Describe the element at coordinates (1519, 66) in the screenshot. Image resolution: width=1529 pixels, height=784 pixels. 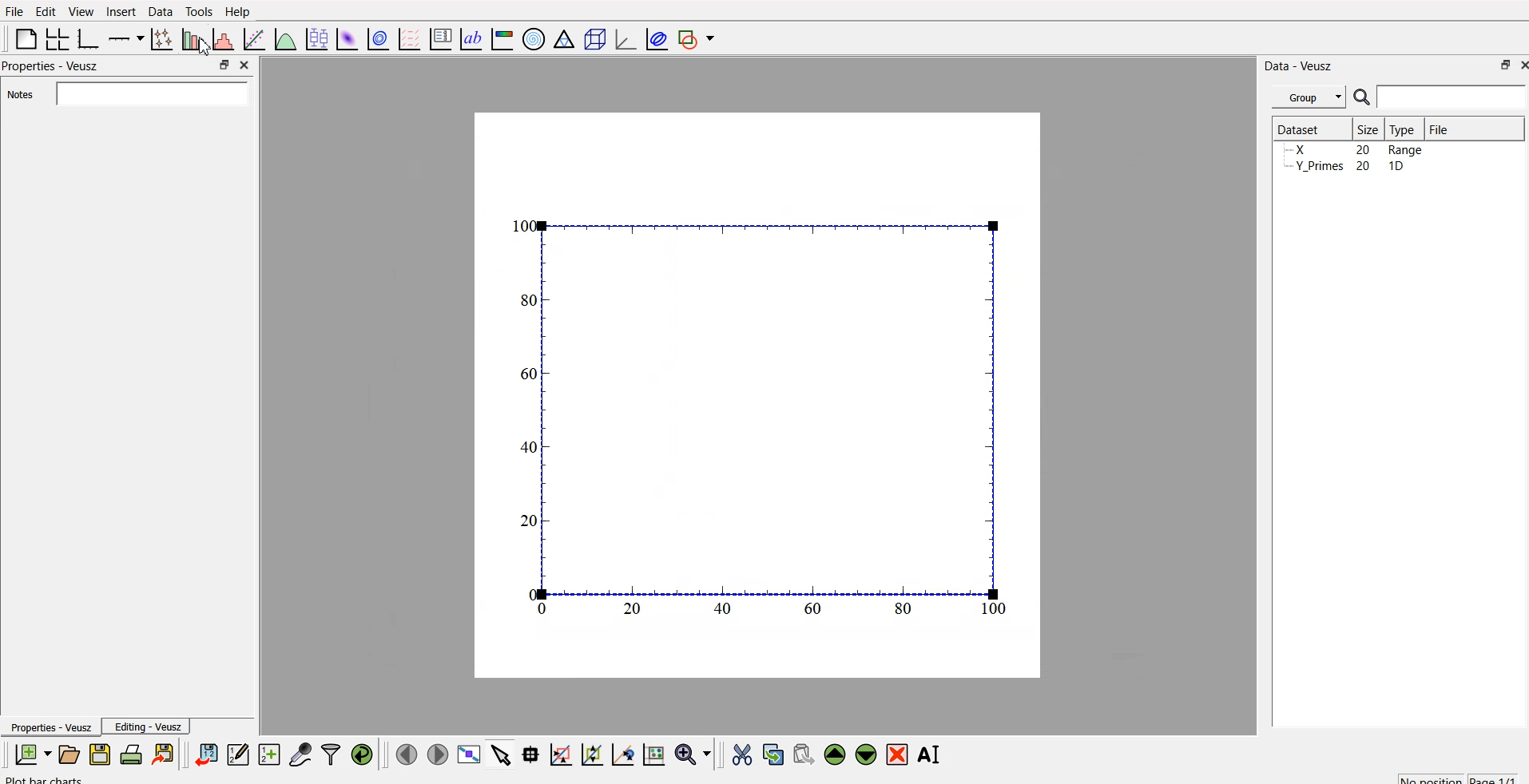
I see `close` at that location.